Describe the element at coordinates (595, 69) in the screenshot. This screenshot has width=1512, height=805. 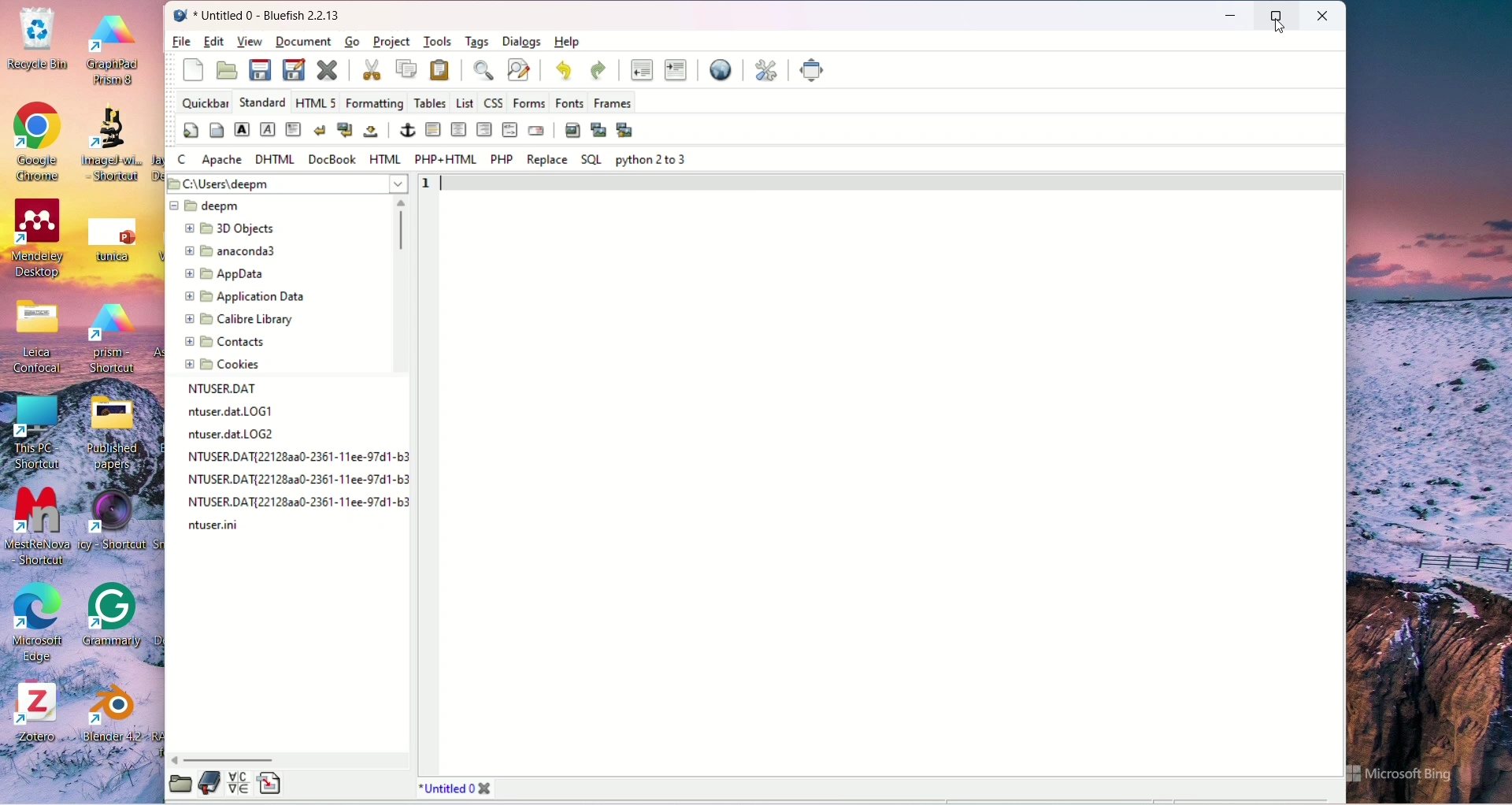
I see `redo` at that location.